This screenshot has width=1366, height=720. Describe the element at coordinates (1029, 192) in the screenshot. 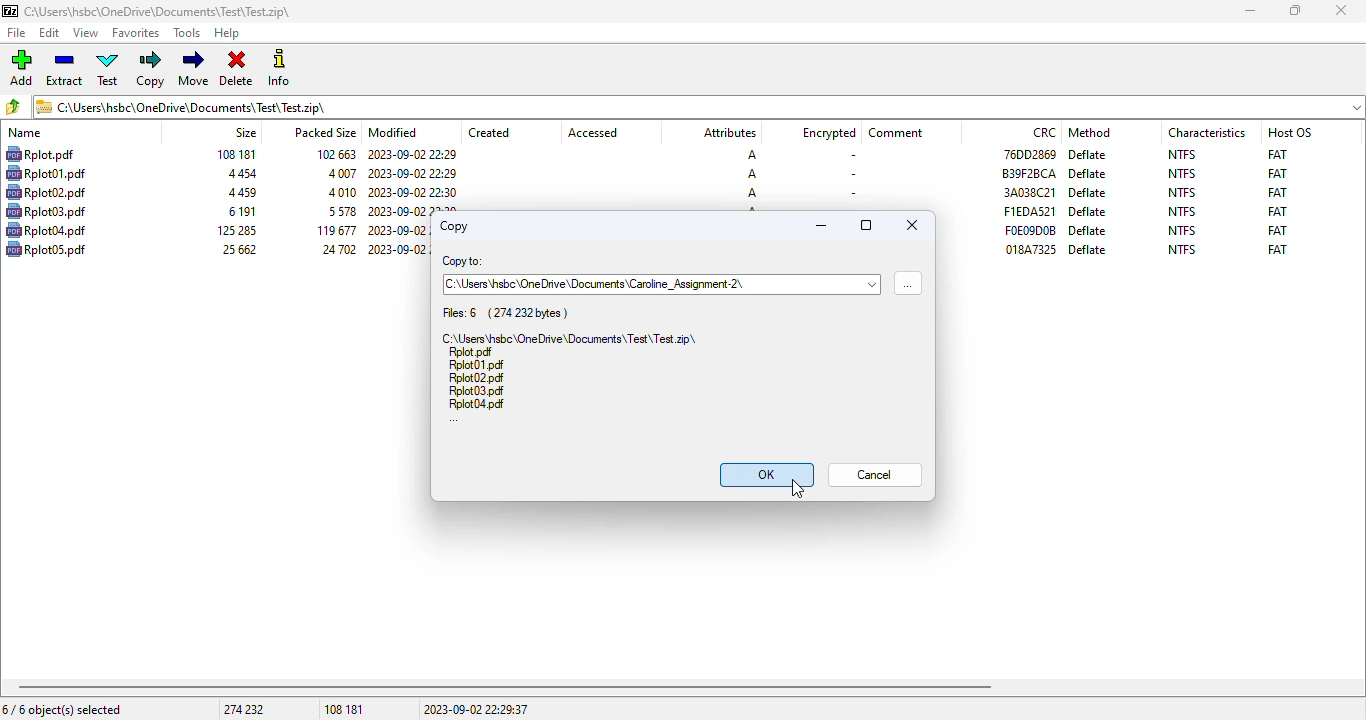

I see `CRC` at that location.